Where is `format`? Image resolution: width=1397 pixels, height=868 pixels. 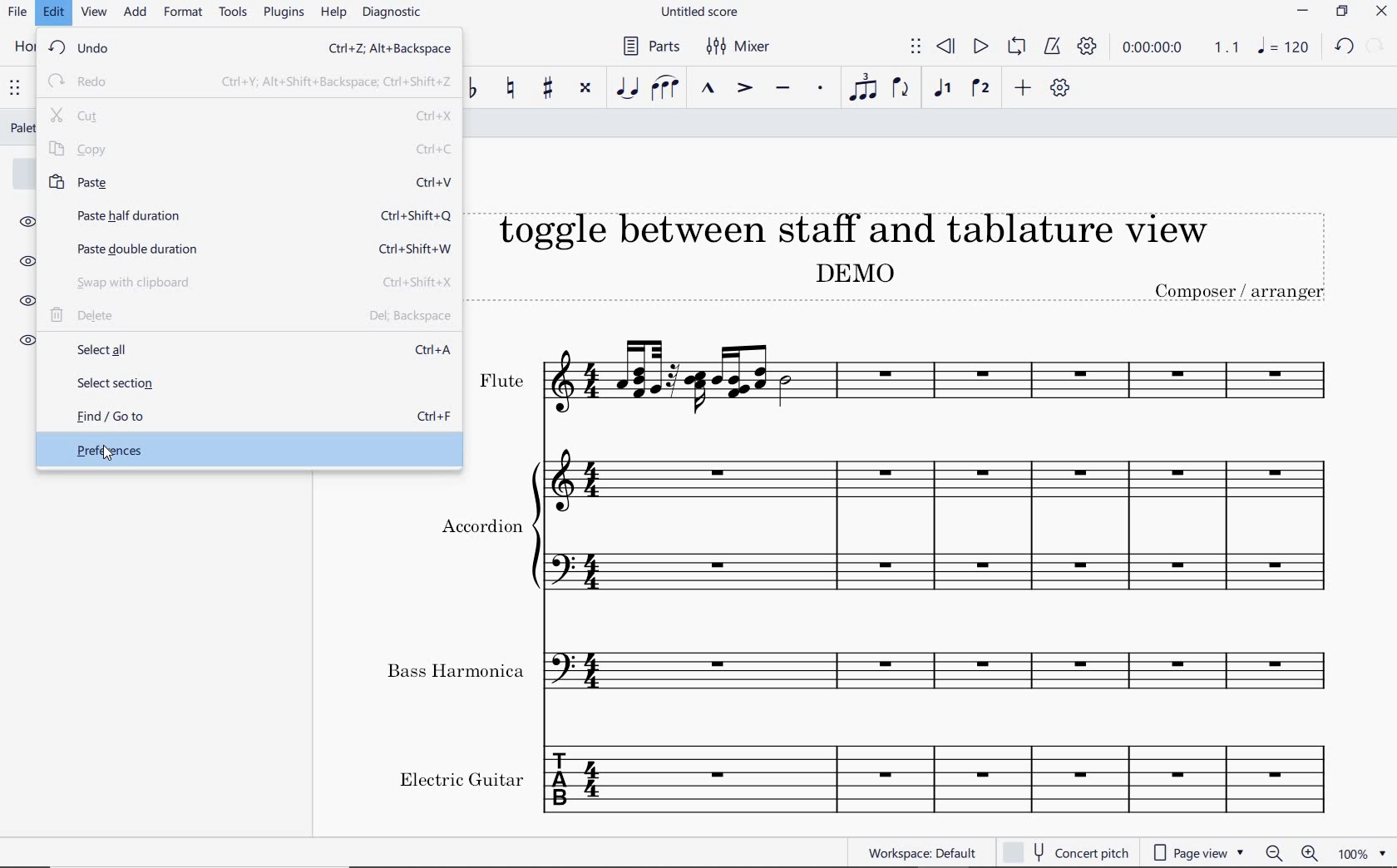
format is located at coordinates (185, 13).